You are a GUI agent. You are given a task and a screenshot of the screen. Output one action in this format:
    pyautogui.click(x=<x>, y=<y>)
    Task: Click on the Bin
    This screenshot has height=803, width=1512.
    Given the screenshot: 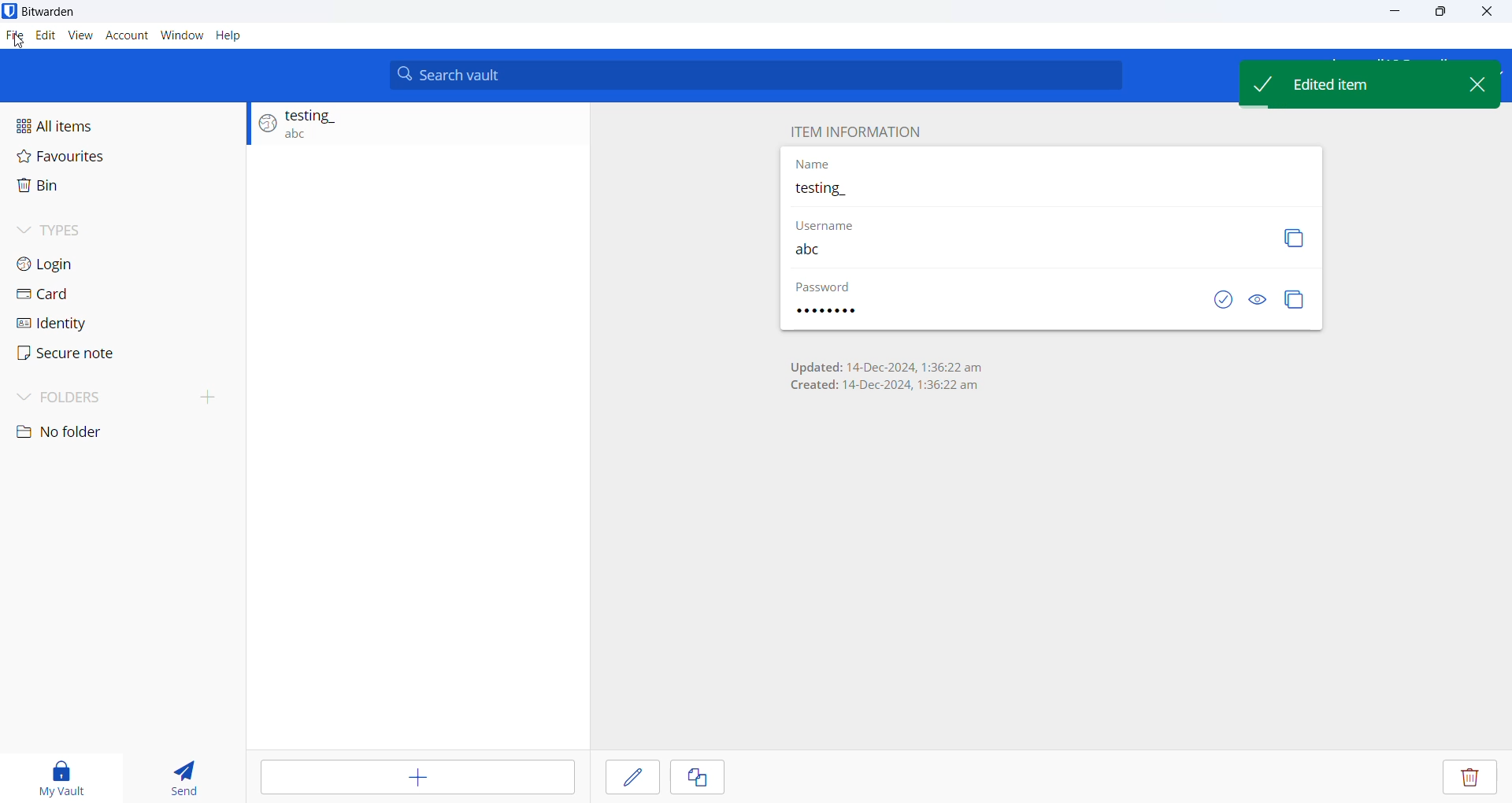 What is the action you would take?
    pyautogui.click(x=114, y=187)
    